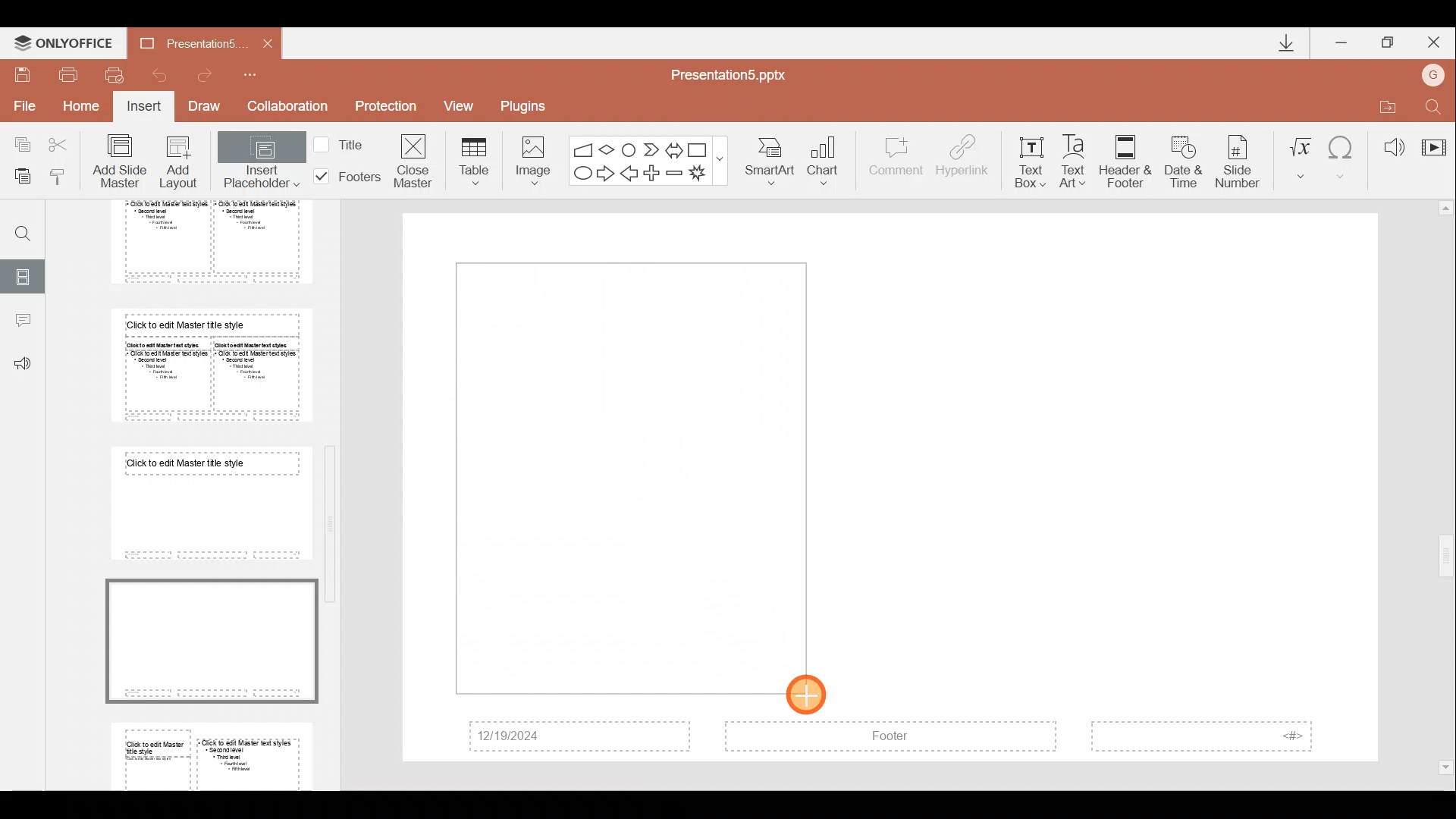 Image resolution: width=1456 pixels, height=819 pixels. Describe the element at coordinates (123, 162) in the screenshot. I see `Add slide master` at that location.